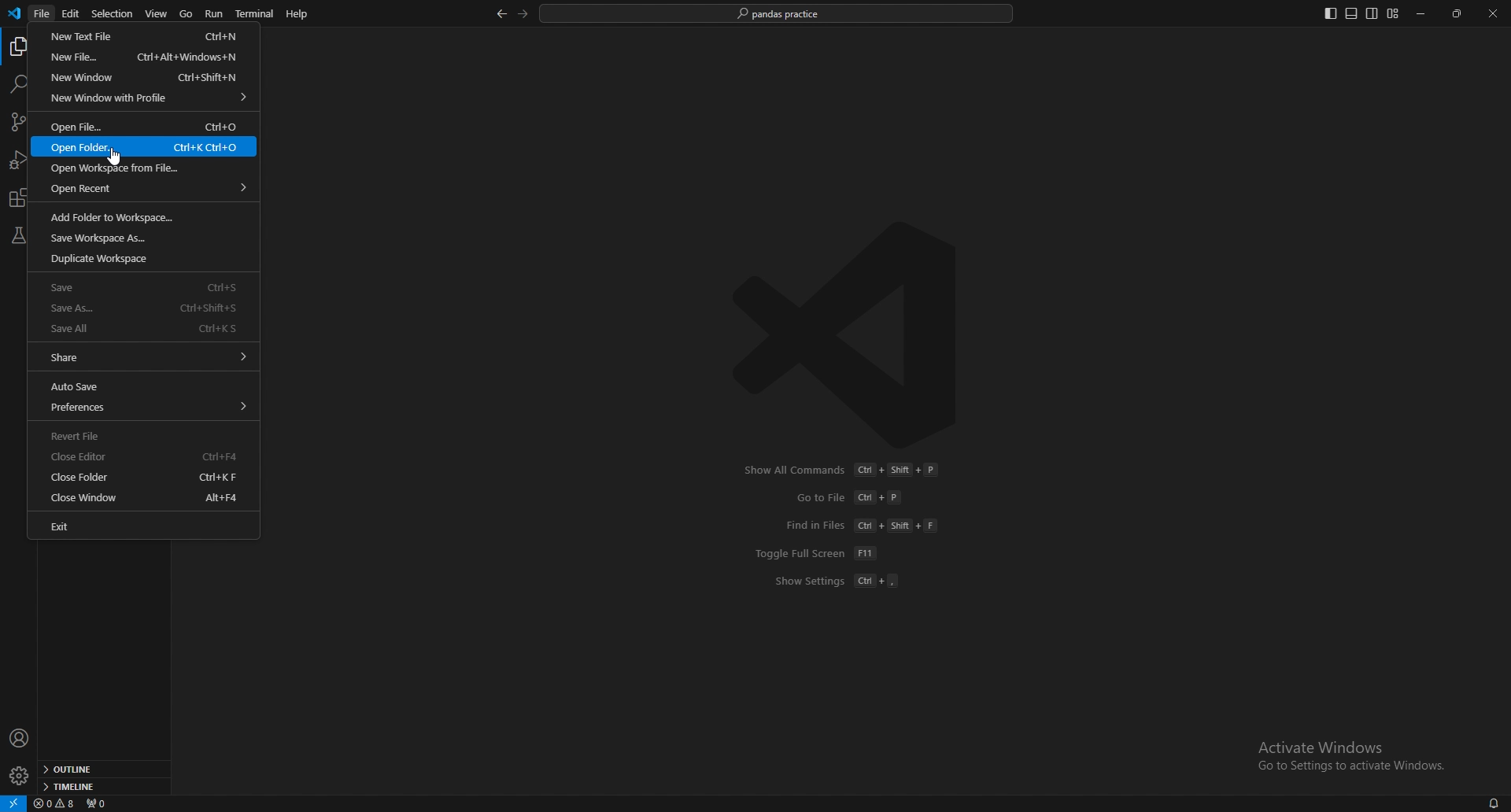 The image size is (1511, 812). I want to click on file, so click(42, 13).